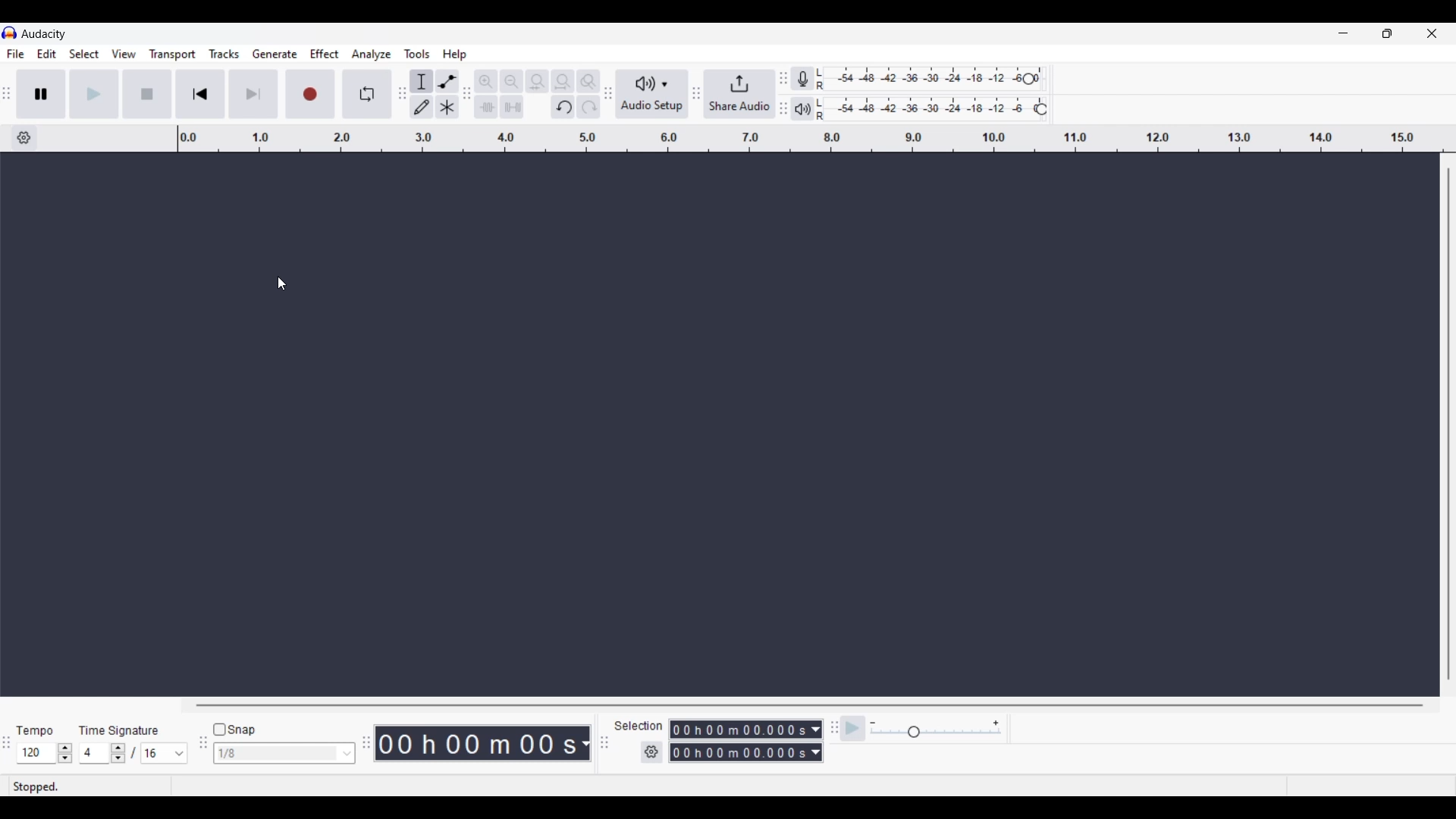 This screenshot has width=1456, height=819. Describe the element at coordinates (118, 753) in the screenshot. I see `Increase/Decrease time signature` at that location.